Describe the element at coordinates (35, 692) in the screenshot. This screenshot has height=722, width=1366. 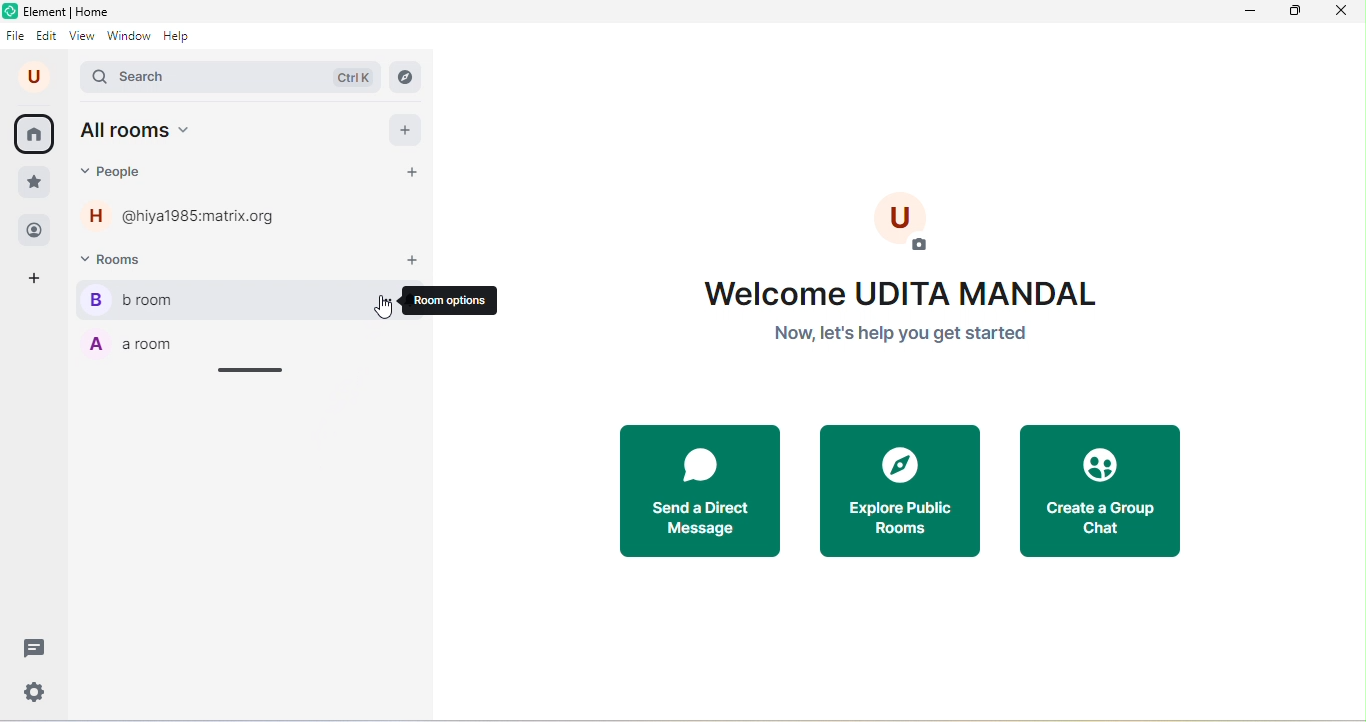
I see `quick settings` at that location.